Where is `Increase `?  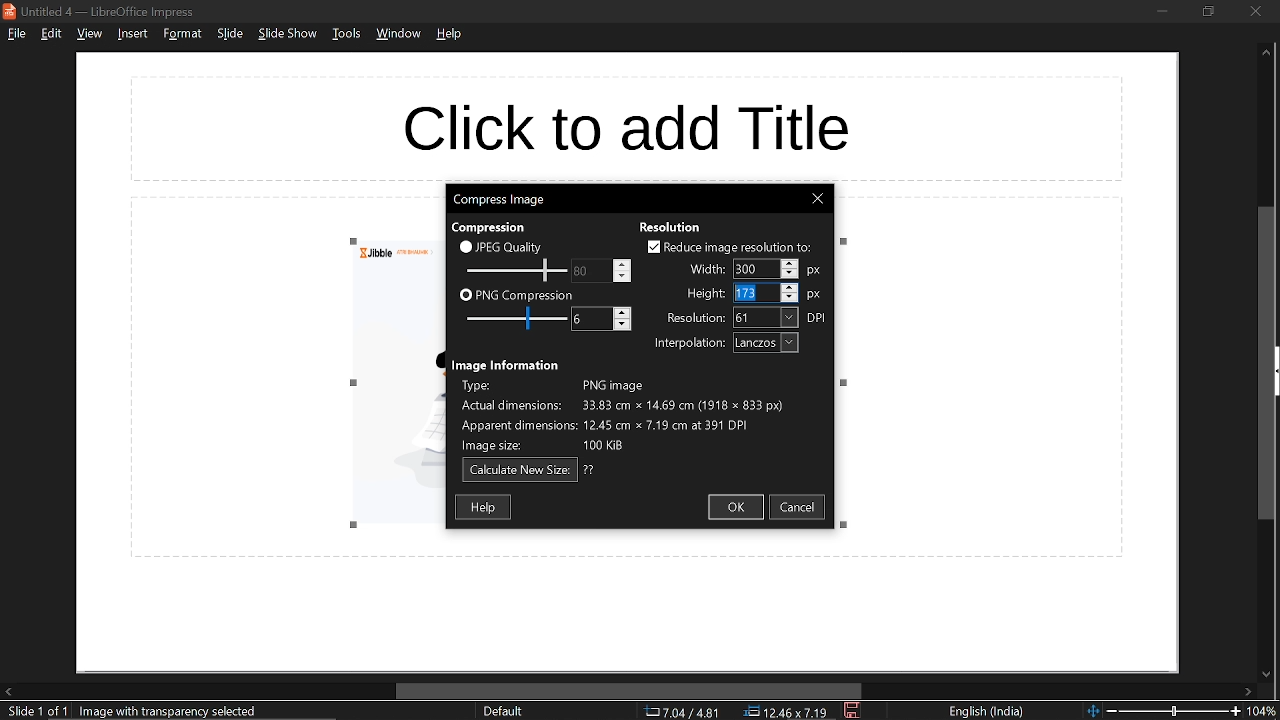
Increase  is located at coordinates (623, 312).